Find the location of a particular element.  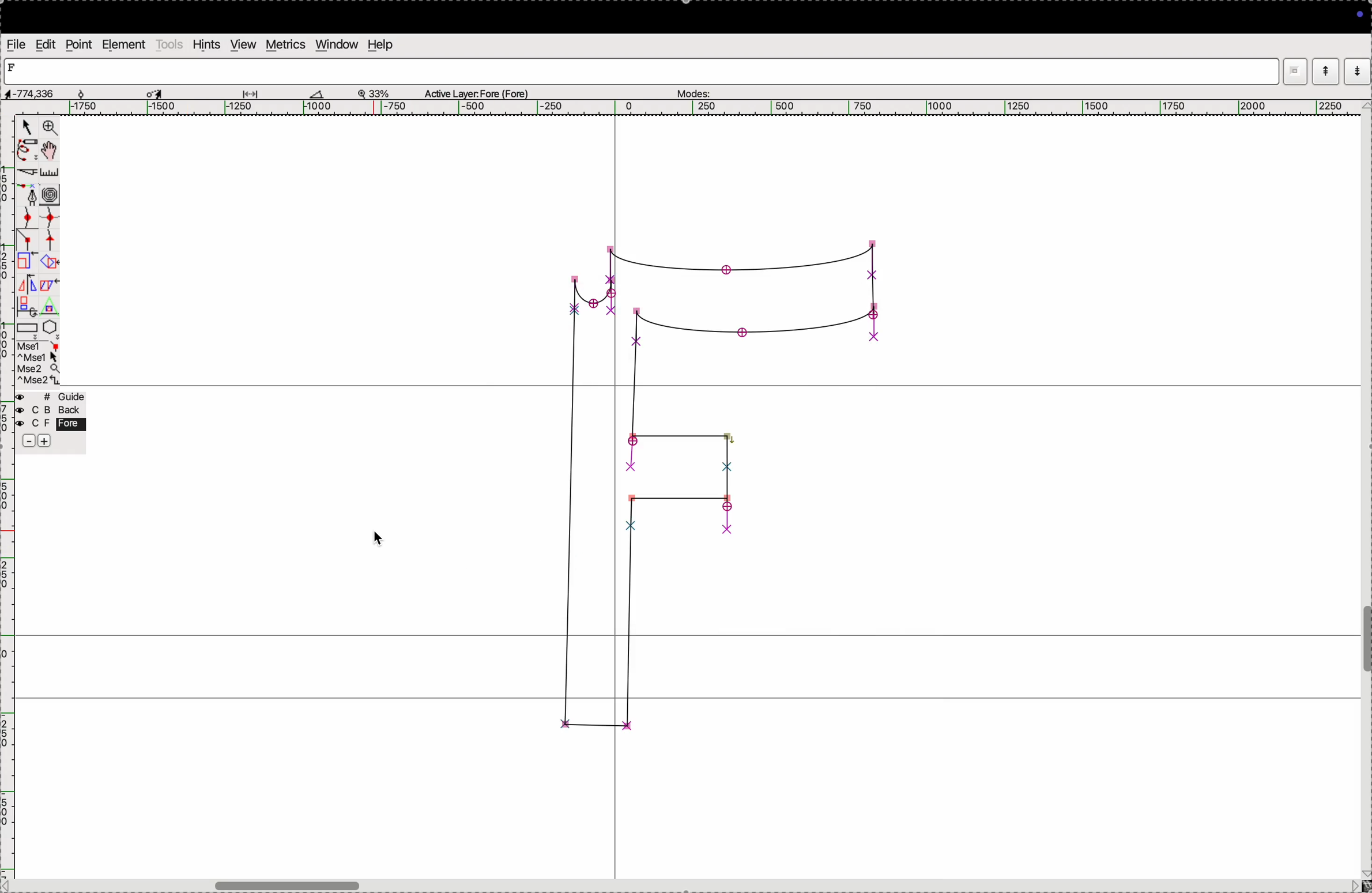

cursor selected is located at coordinates (156, 92).